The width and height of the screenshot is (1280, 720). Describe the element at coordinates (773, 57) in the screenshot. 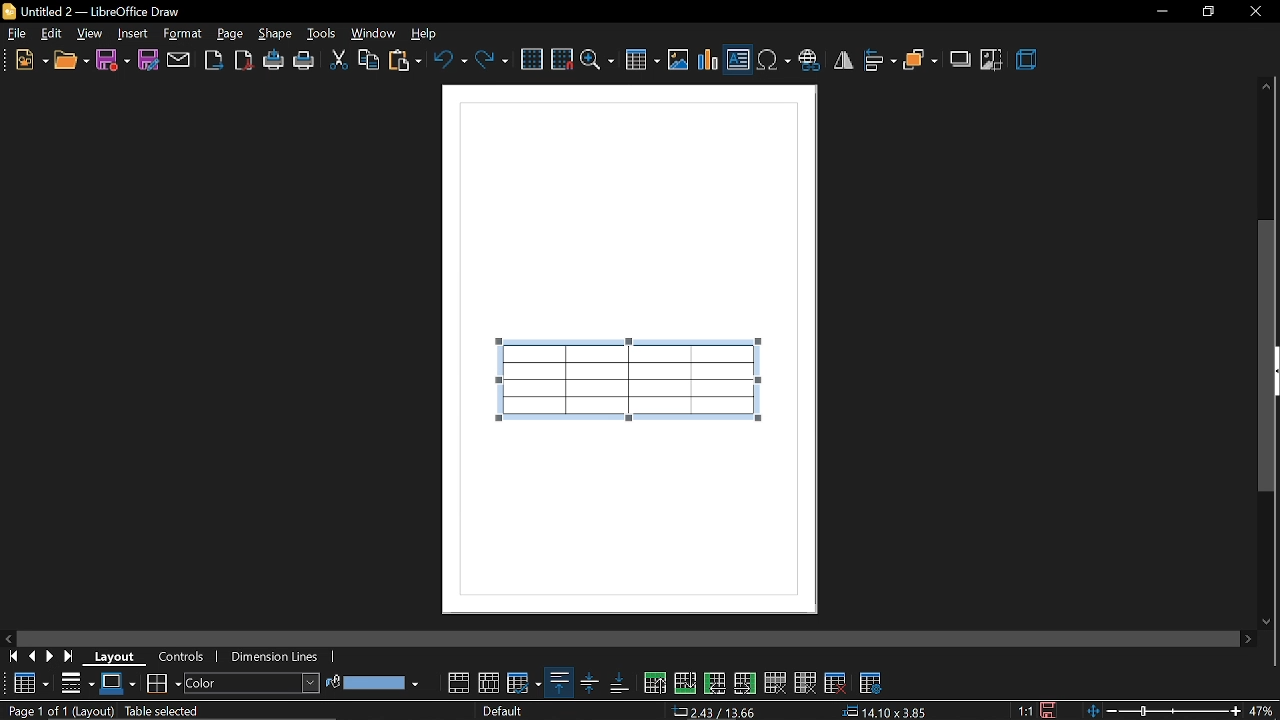

I see `insert symbol` at that location.